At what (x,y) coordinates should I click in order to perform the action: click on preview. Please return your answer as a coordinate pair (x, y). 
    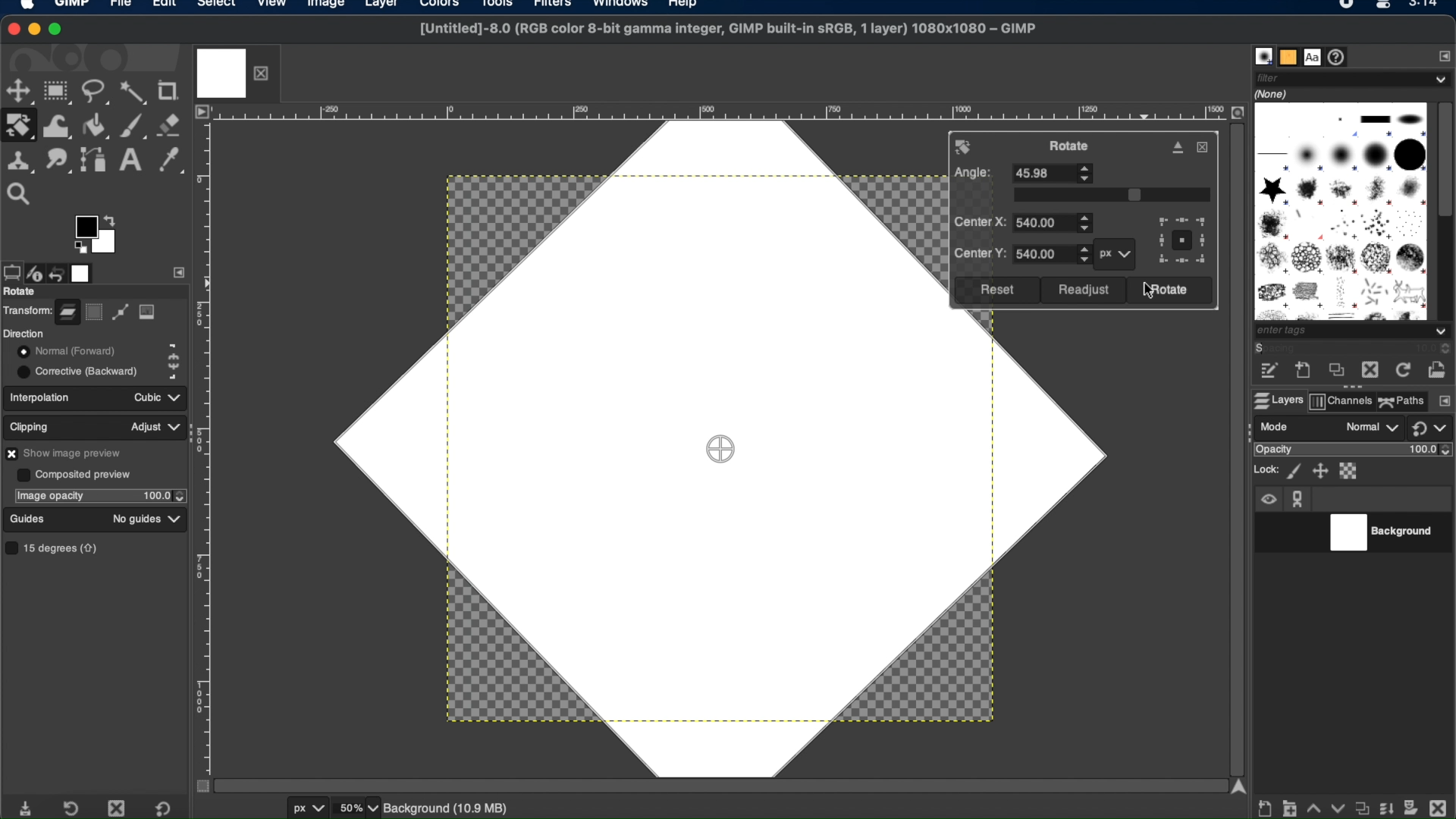
    Looking at the image, I should click on (1181, 241).